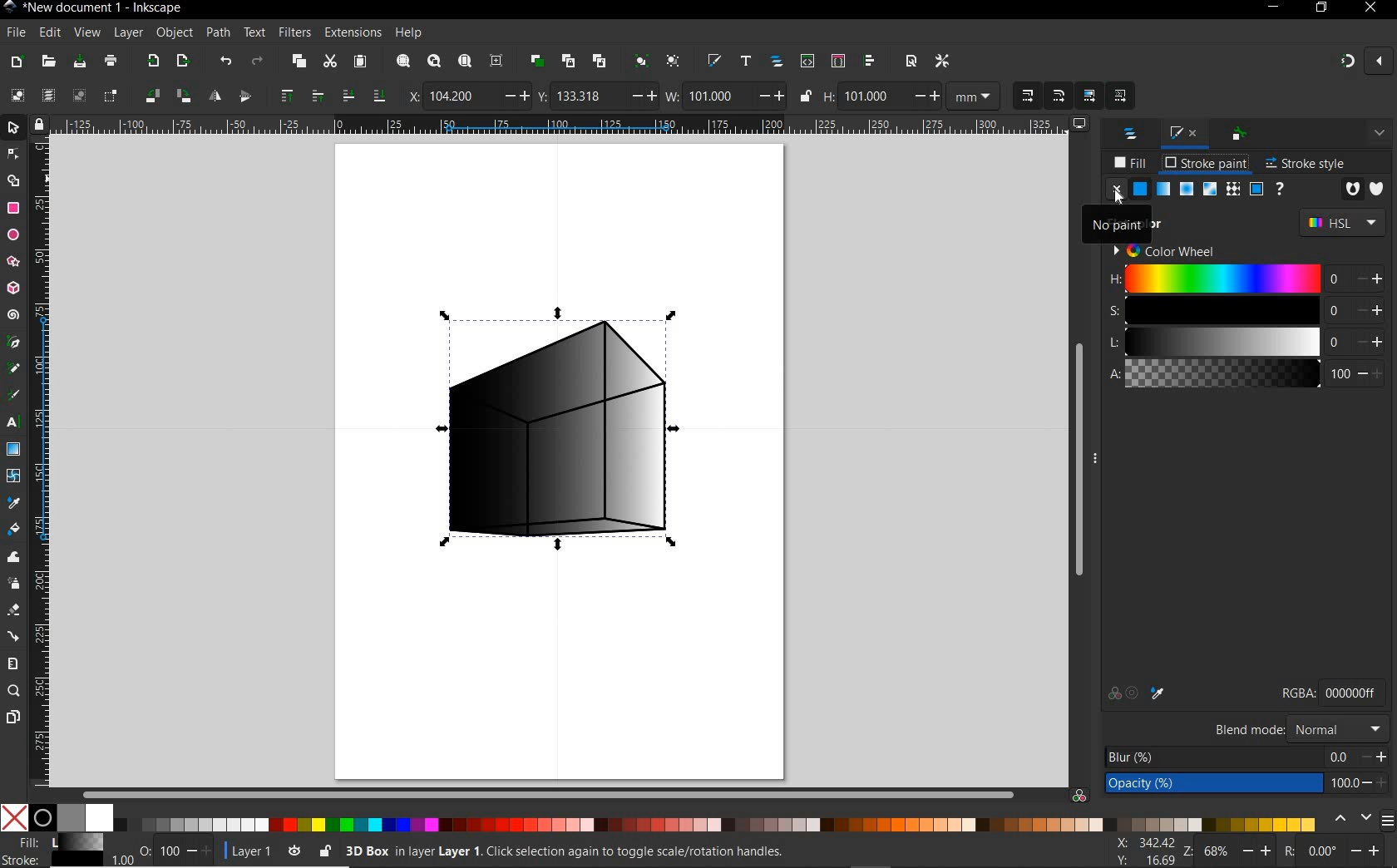 Image resolution: width=1397 pixels, height=868 pixels. I want to click on OBJECT, so click(172, 32).